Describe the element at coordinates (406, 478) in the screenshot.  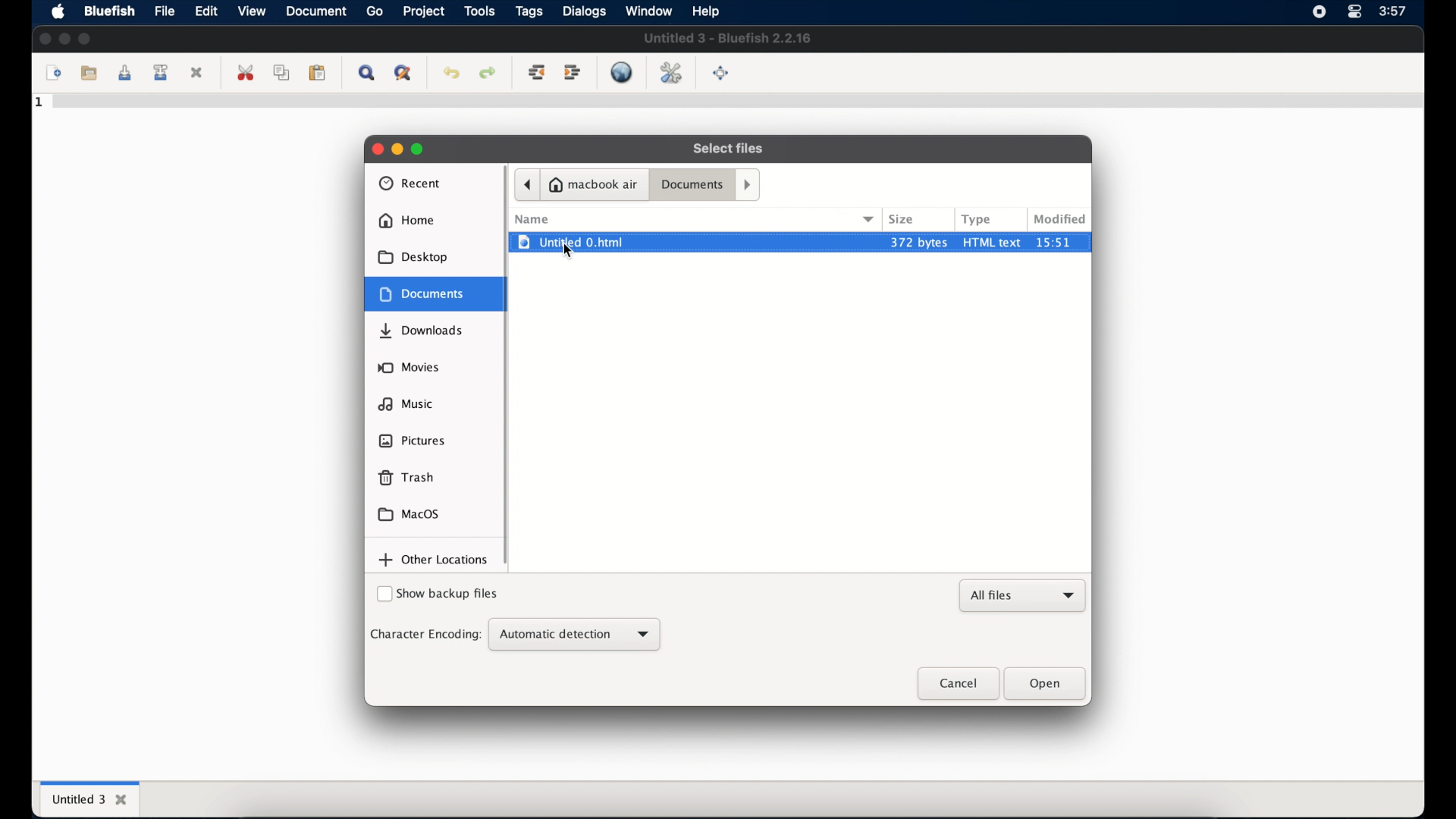
I see `trash` at that location.